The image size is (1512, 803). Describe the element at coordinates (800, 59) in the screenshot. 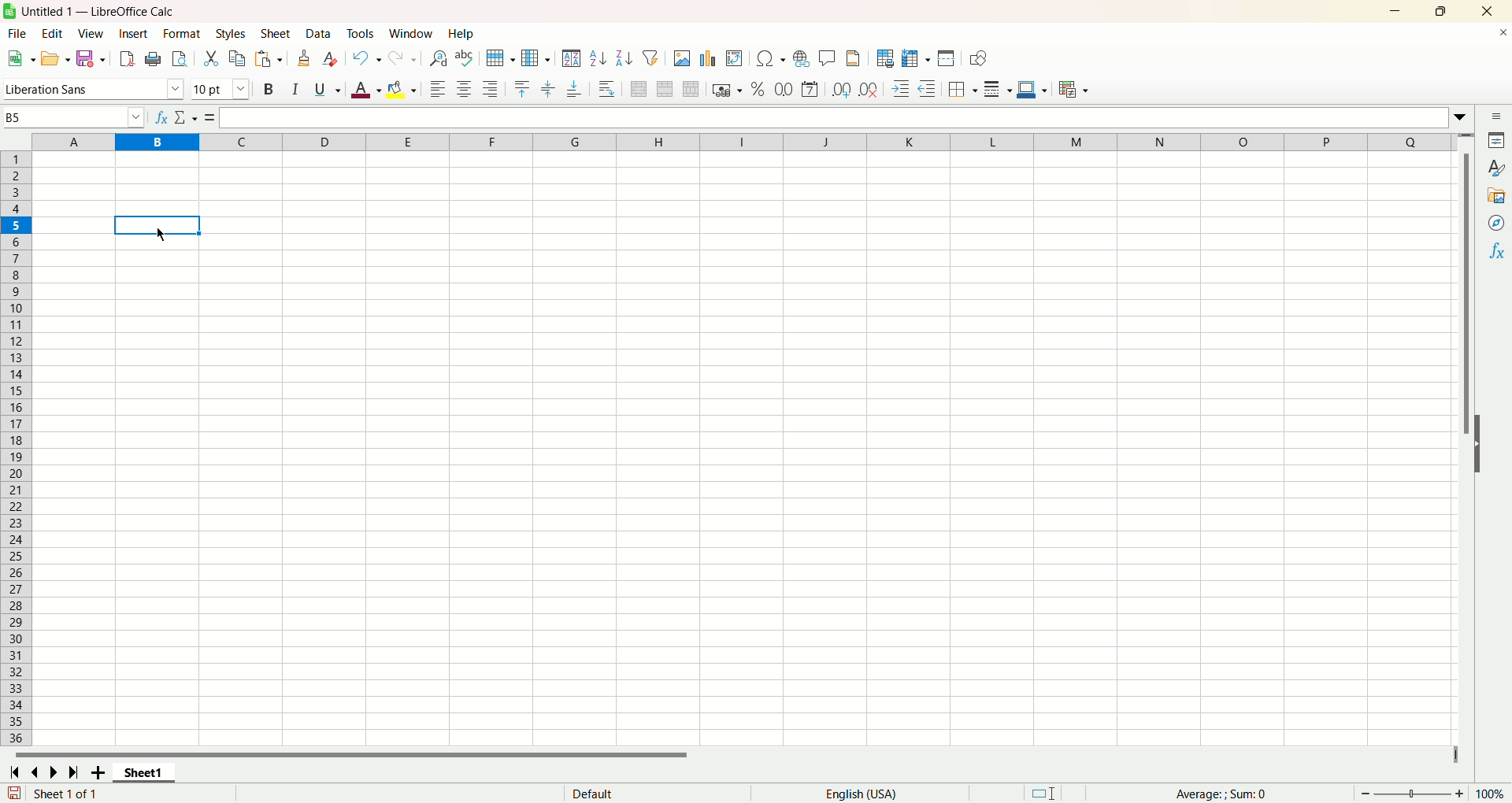

I see `insert hyperlink` at that location.